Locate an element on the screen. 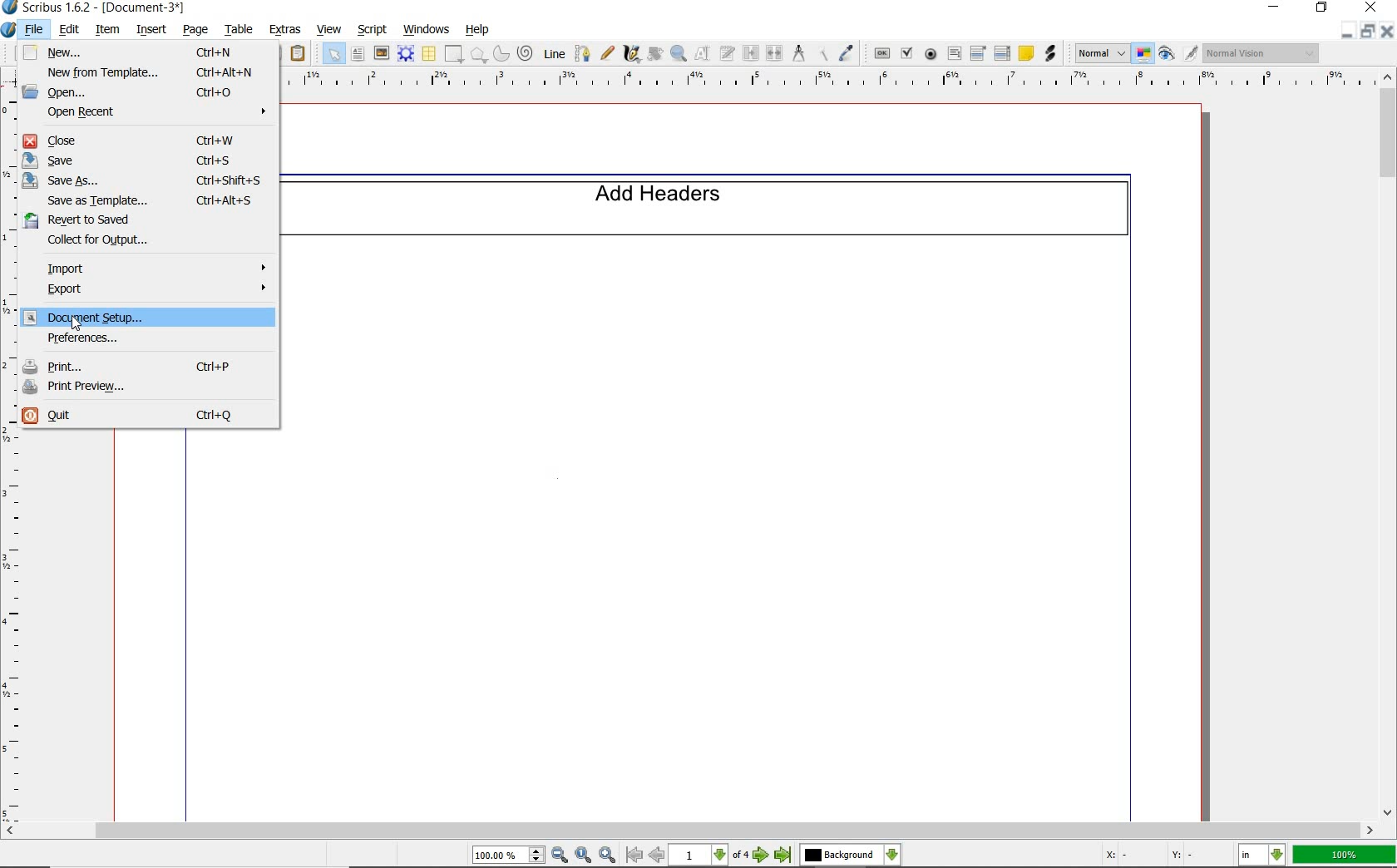 The width and height of the screenshot is (1397, 868). 100% is located at coordinates (1345, 855).